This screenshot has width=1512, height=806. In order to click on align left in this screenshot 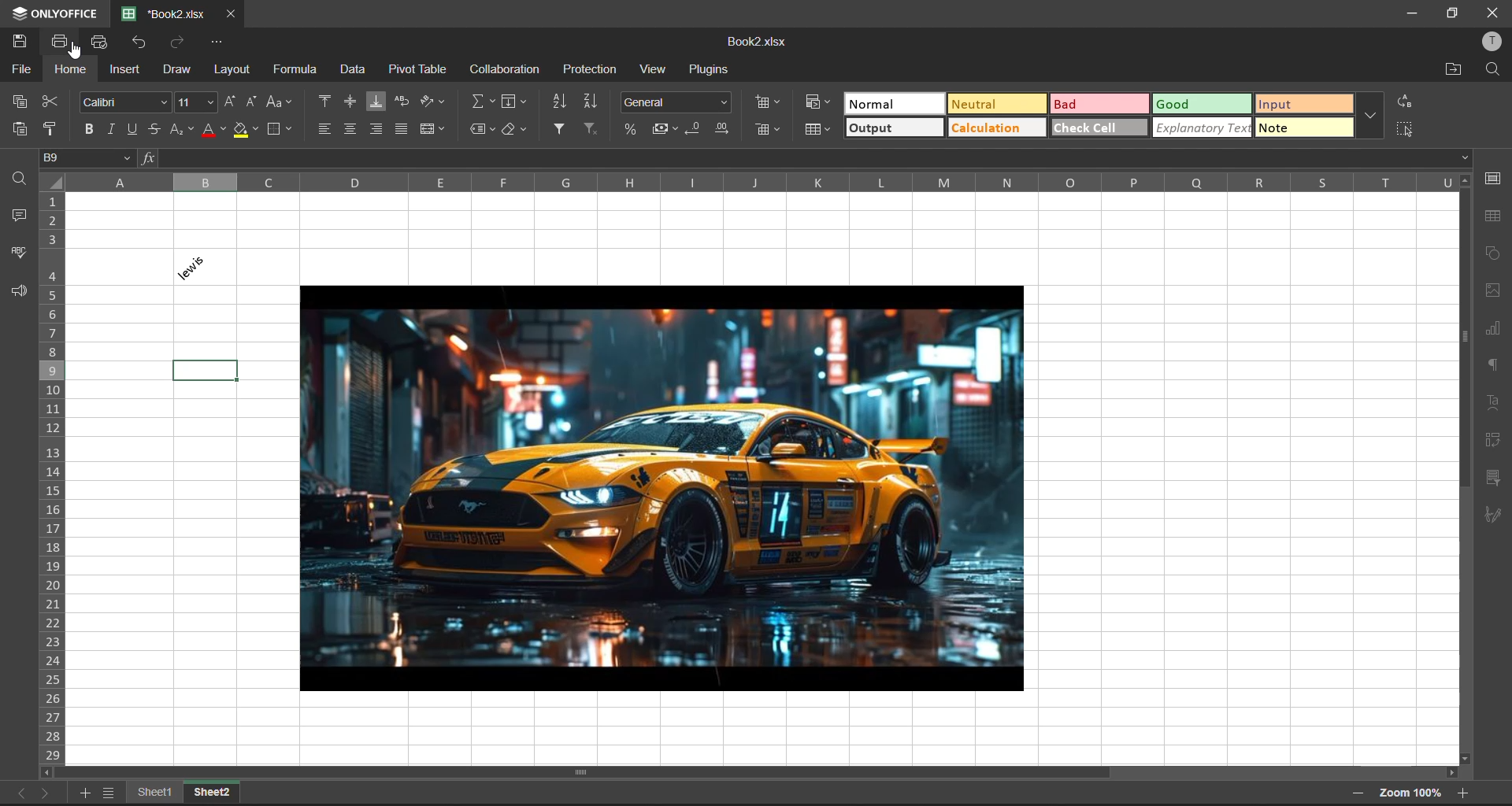, I will do `click(328, 130)`.